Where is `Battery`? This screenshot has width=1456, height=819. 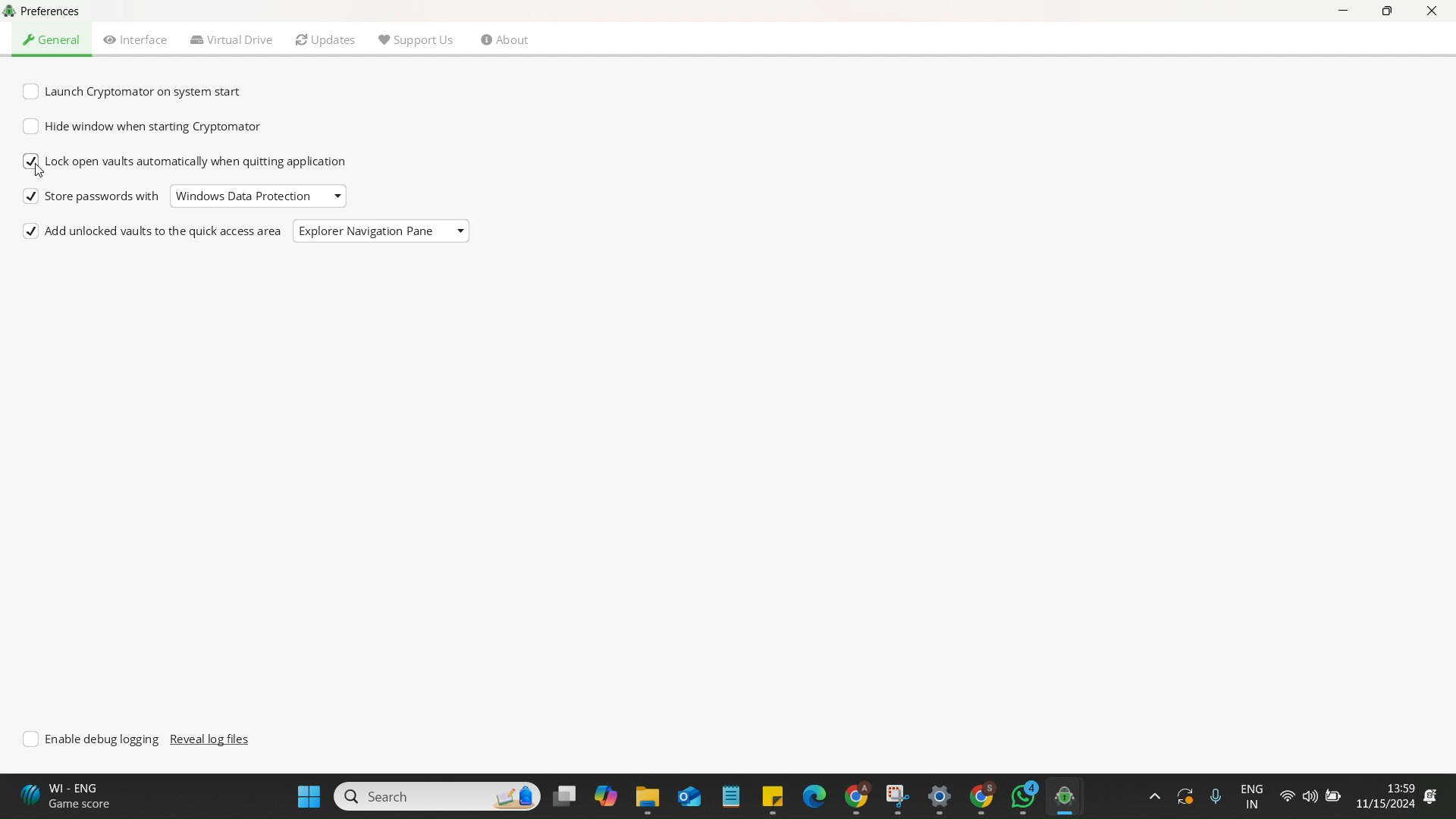 Battery is located at coordinates (1331, 795).